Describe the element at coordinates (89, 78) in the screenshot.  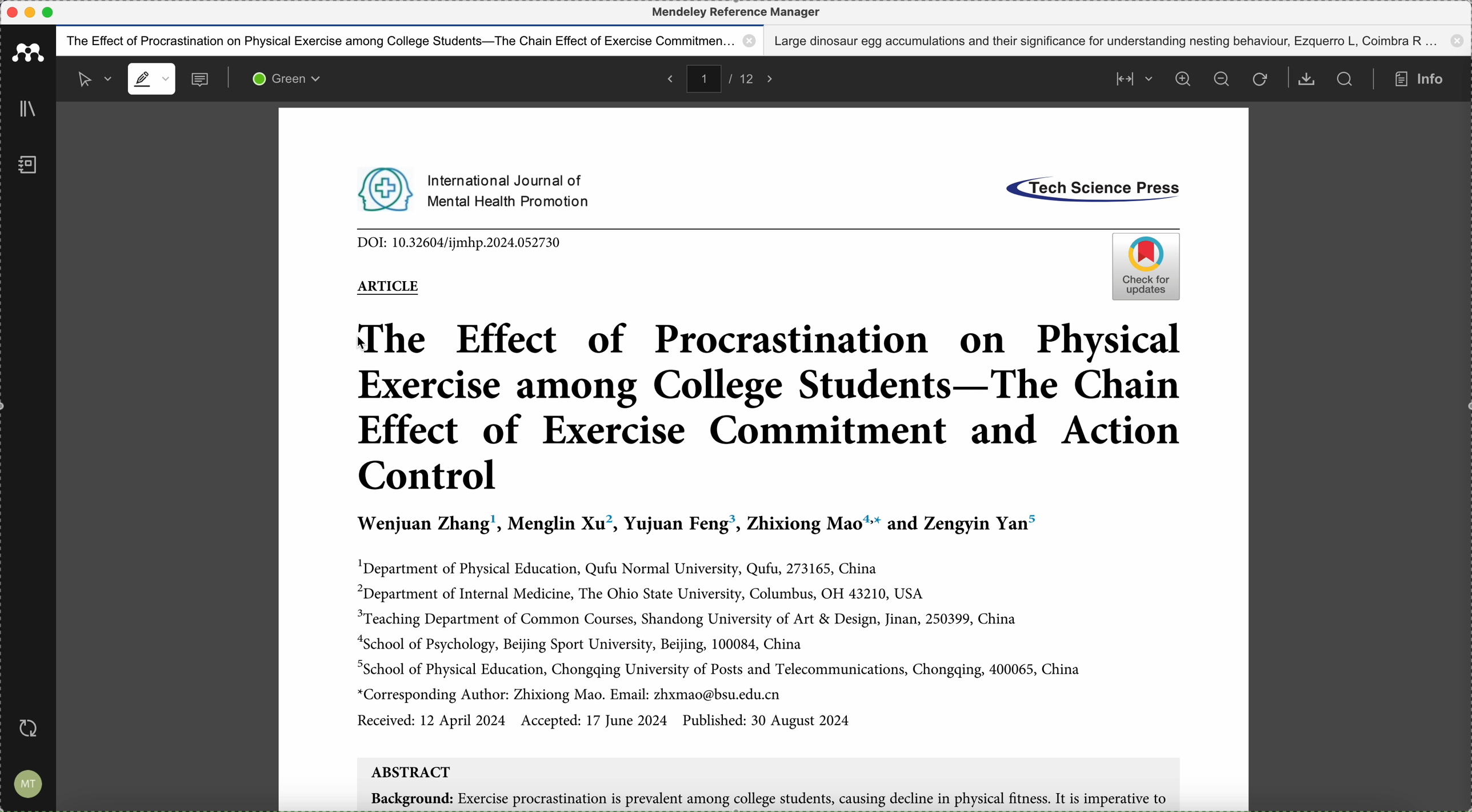
I see `selected mode` at that location.